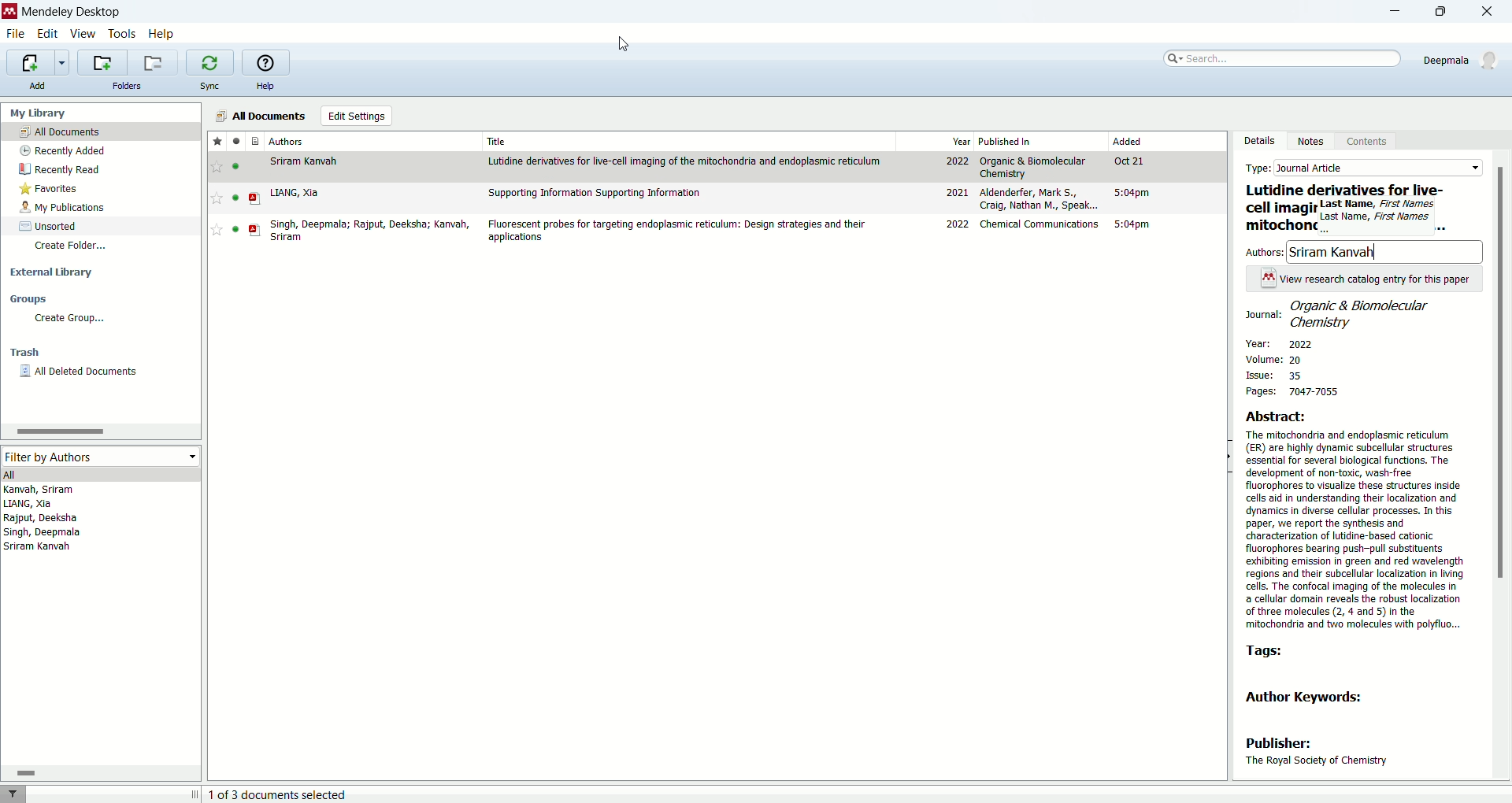 This screenshot has width=1512, height=803. What do you see at coordinates (47, 35) in the screenshot?
I see `edit` at bounding box center [47, 35].